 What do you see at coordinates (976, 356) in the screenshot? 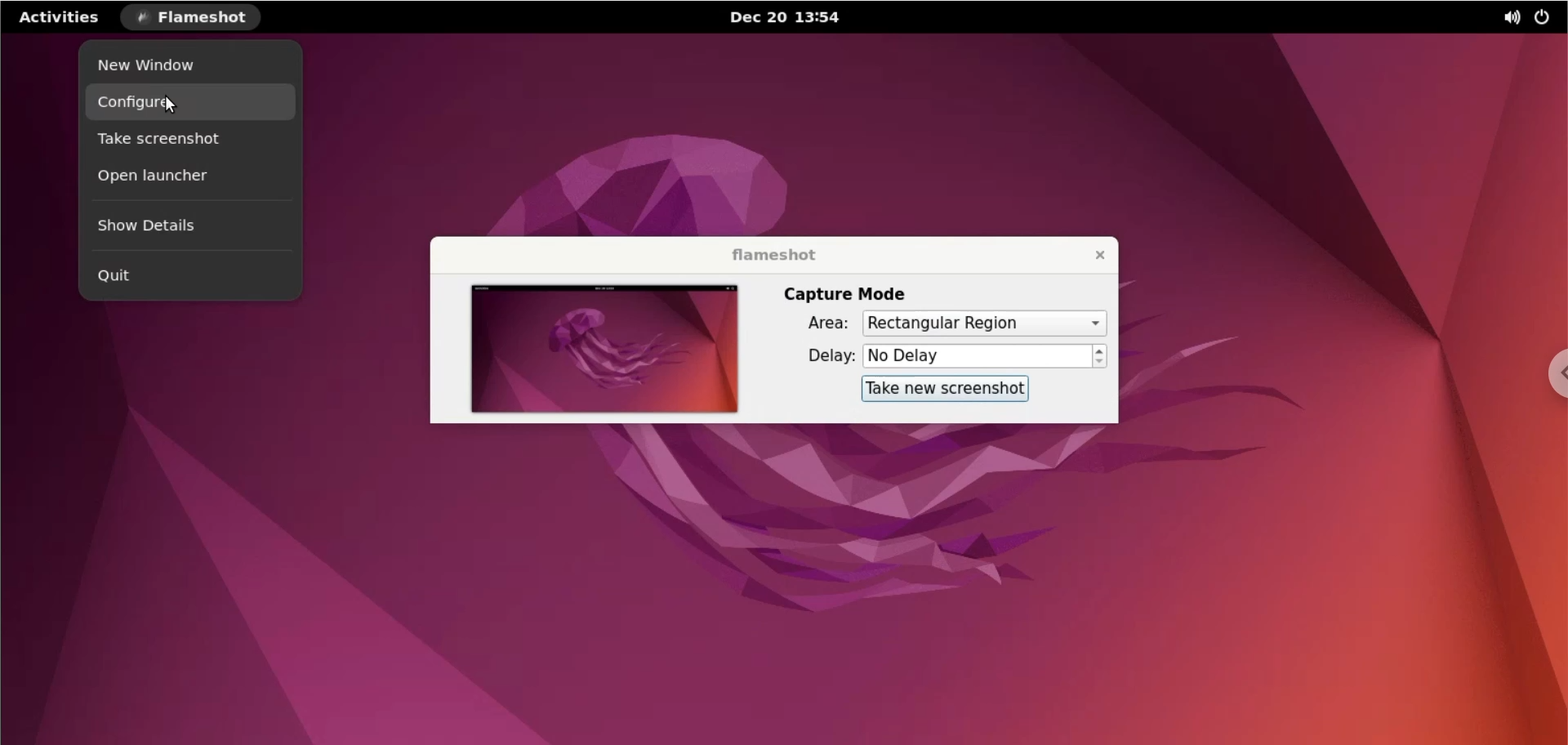
I see `delay options` at bounding box center [976, 356].